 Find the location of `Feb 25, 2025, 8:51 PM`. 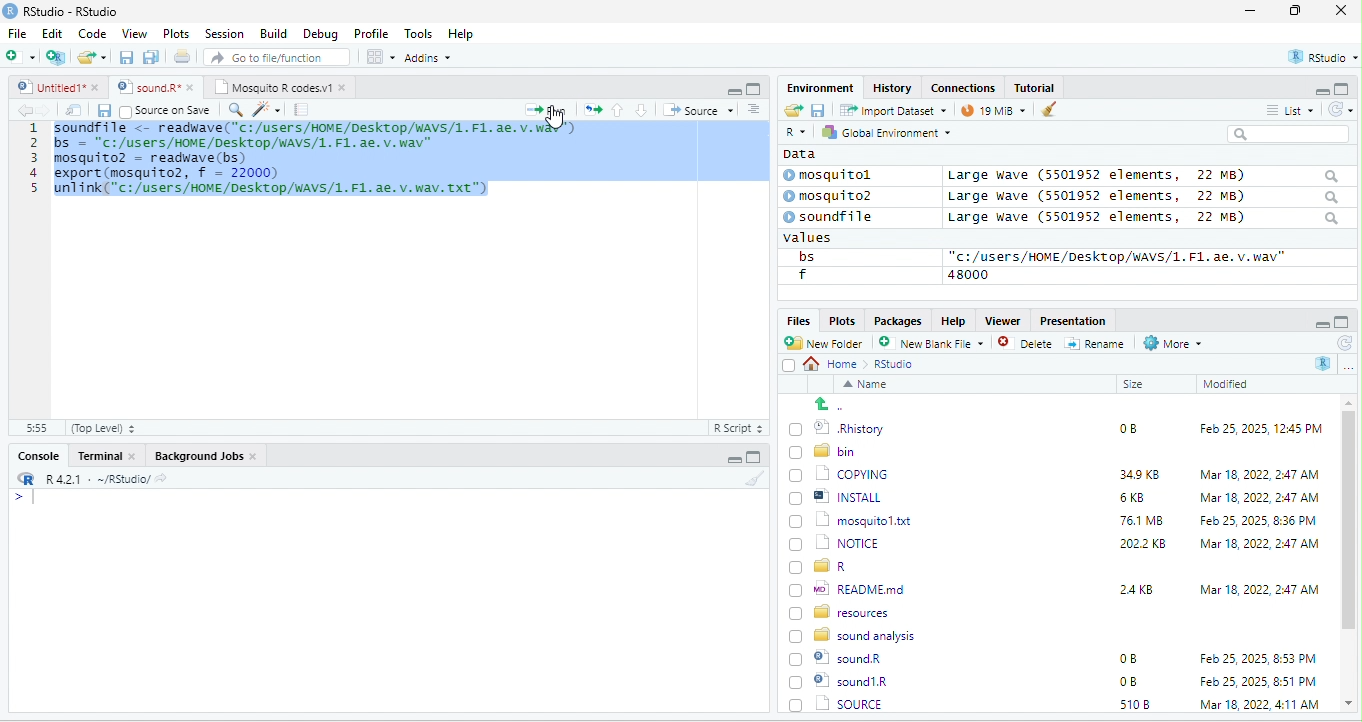

Feb 25, 2025, 8:51 PM is located at coordinates (1259, 659).